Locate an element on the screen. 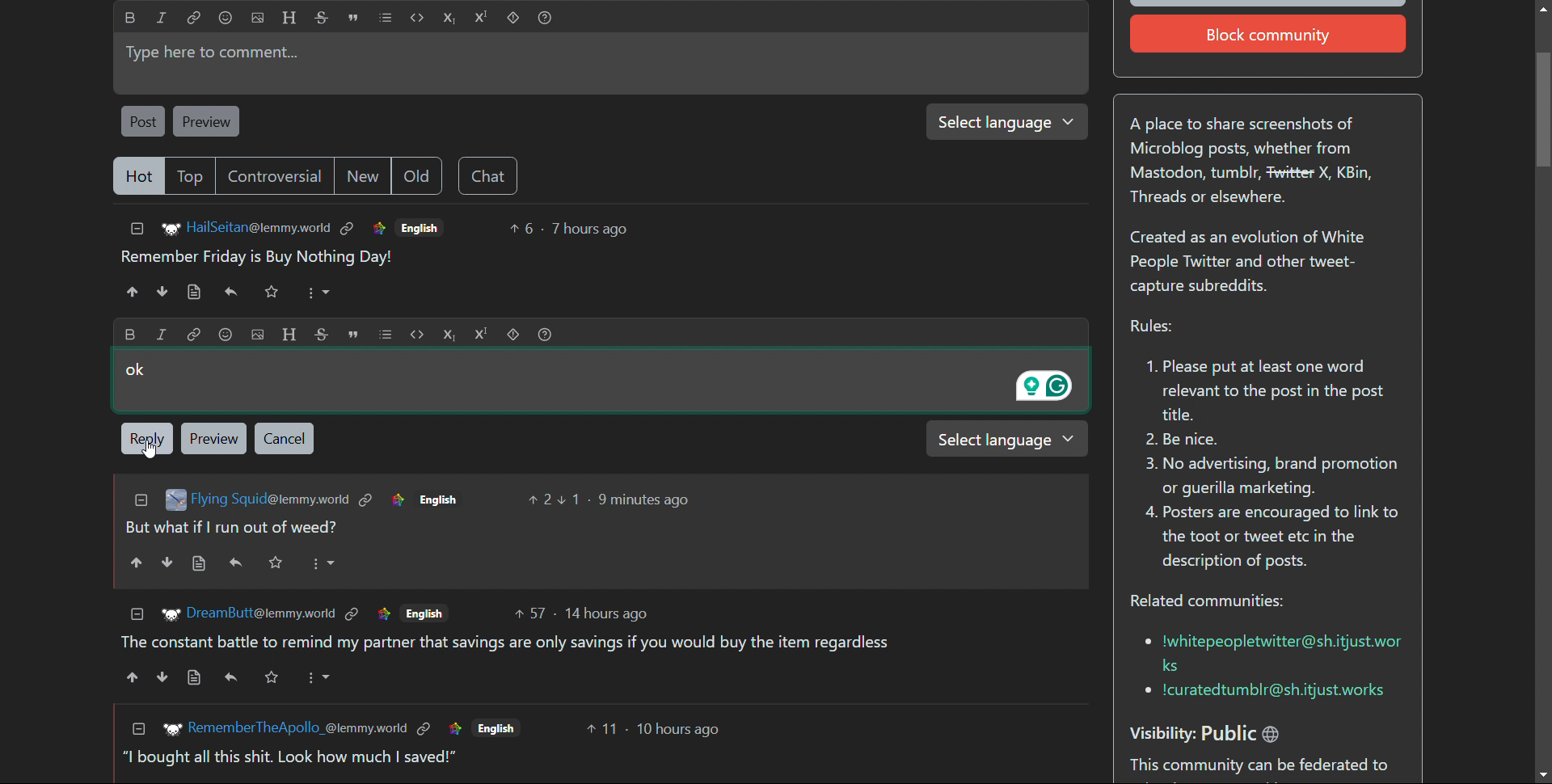 The width and height of the screenshot is (1552, 784). language is located at coordinates (437, 499).